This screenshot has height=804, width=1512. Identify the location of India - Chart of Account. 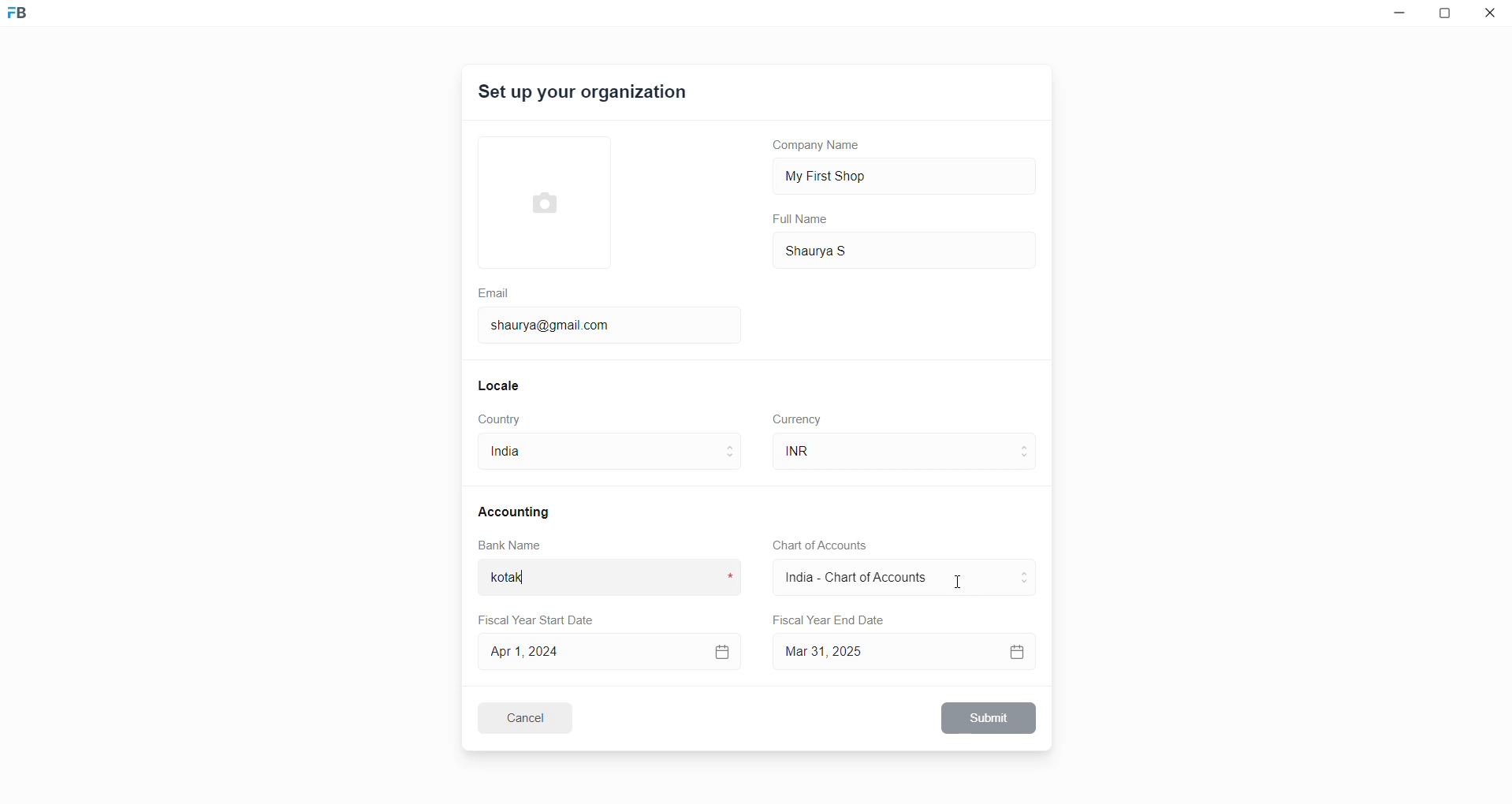
(865, 579).